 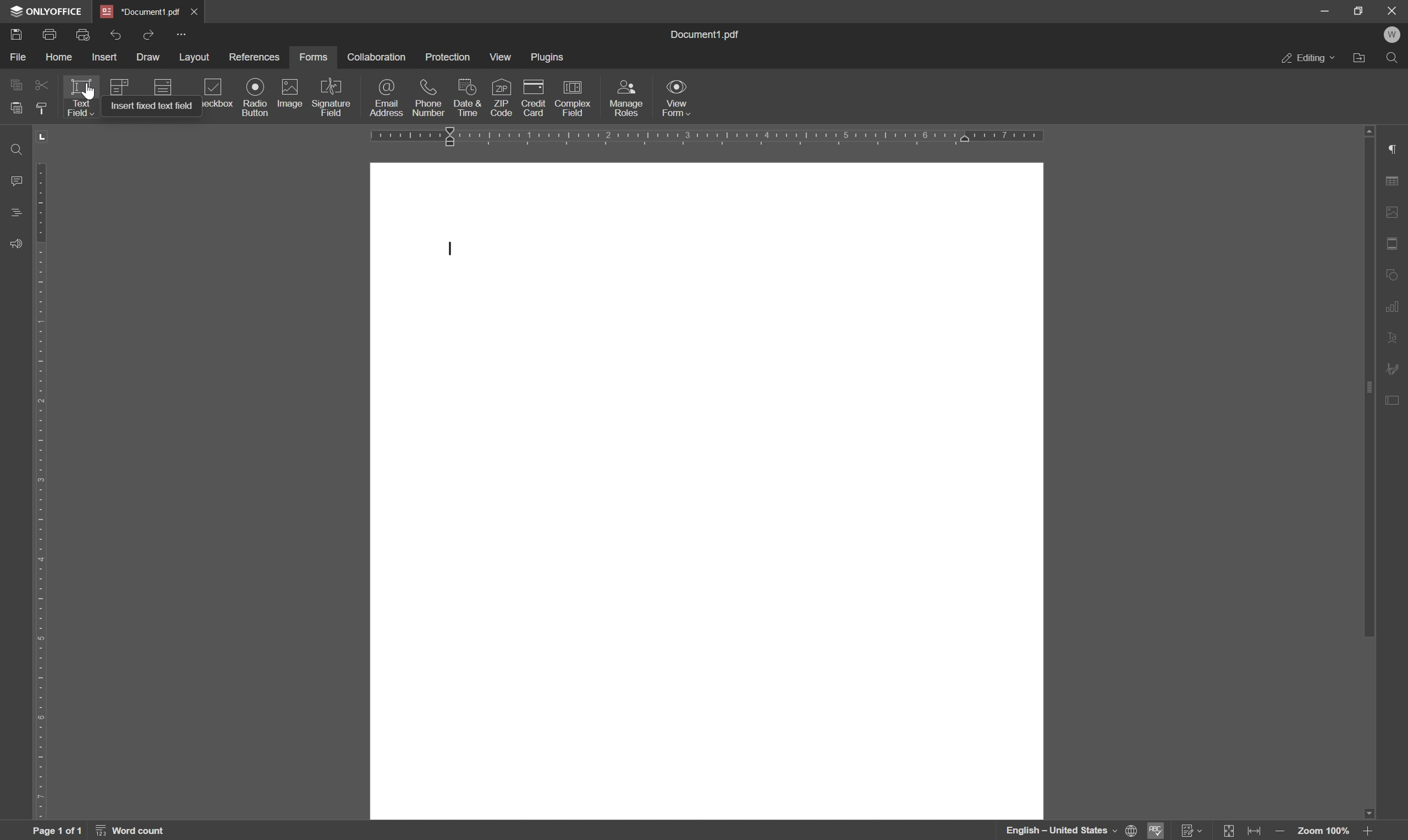 What do you see at coordinates (1368, 810) in the screenshot?
I see `scroll down` at bounding box center [1368, 810].